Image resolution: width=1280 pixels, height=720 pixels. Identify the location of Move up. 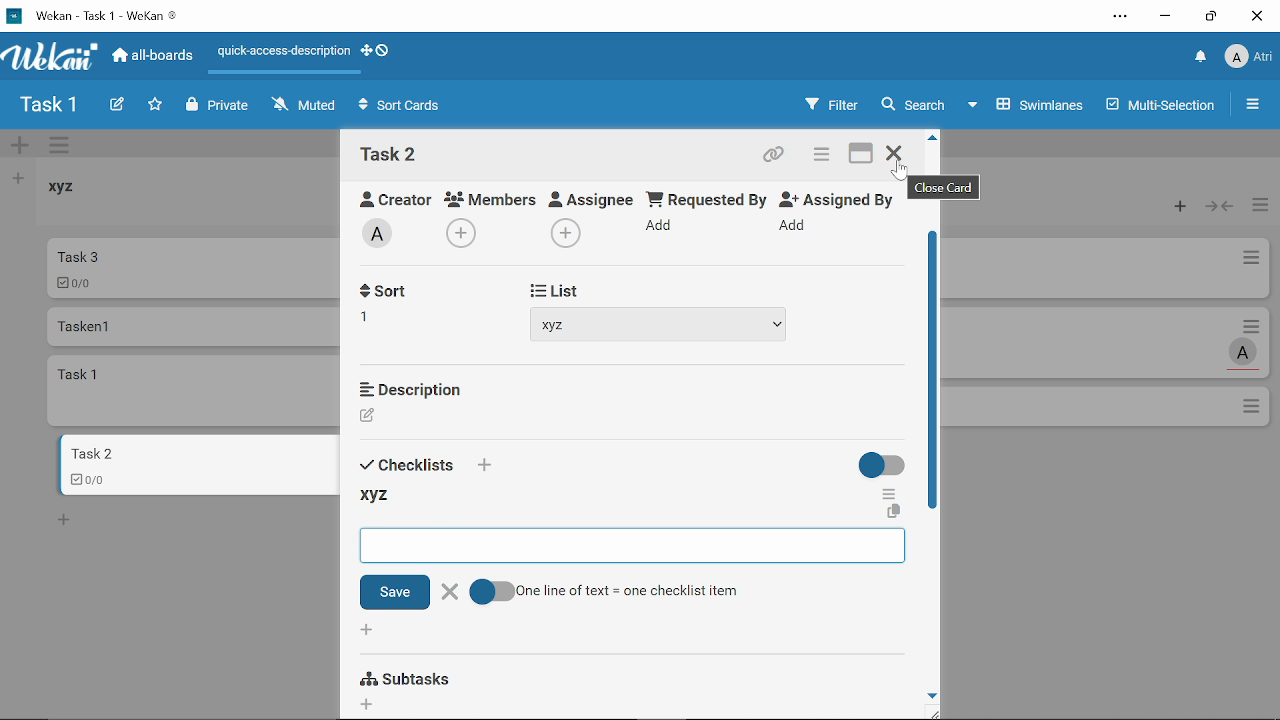
(933, 138).